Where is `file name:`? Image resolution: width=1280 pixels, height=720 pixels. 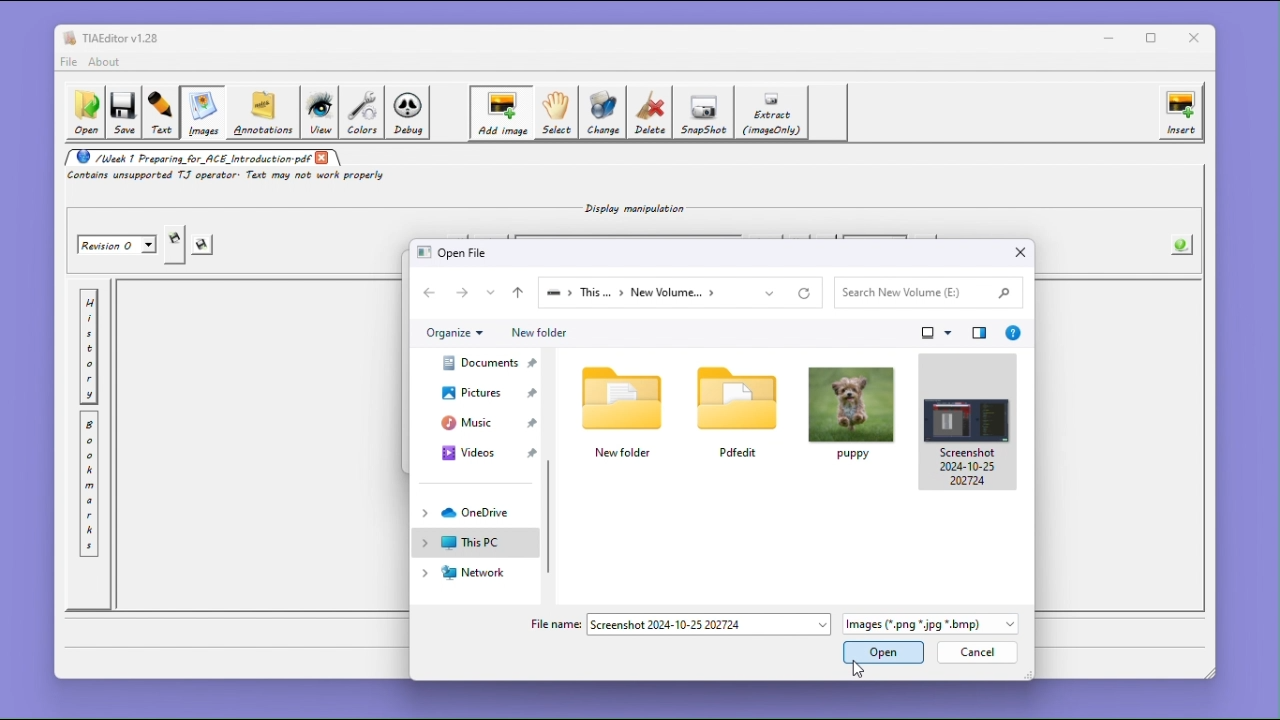
file name: is located at coordinates (554, 623).